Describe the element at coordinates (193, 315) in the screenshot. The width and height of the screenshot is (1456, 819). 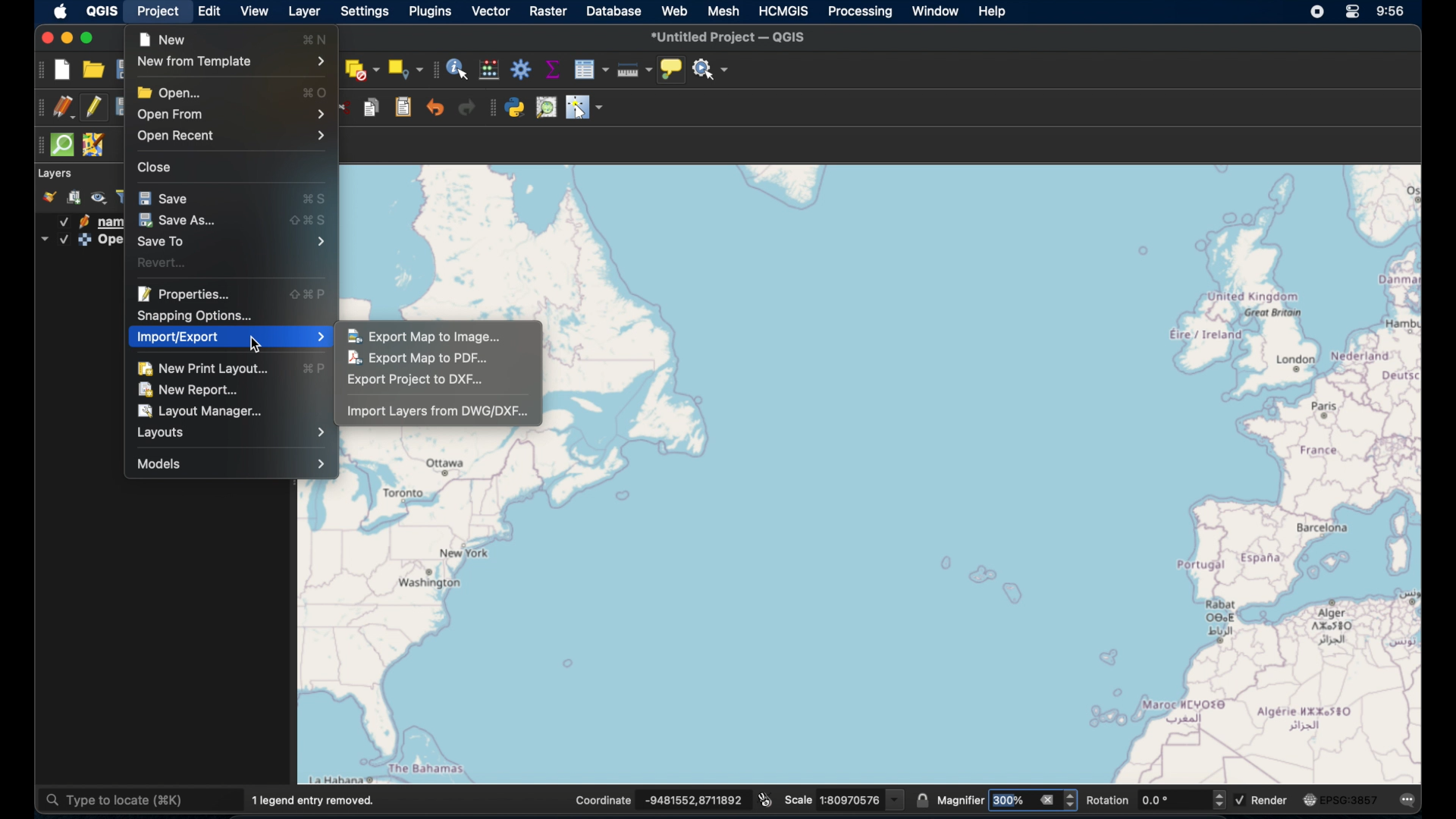
I see `snapping options` at that location.